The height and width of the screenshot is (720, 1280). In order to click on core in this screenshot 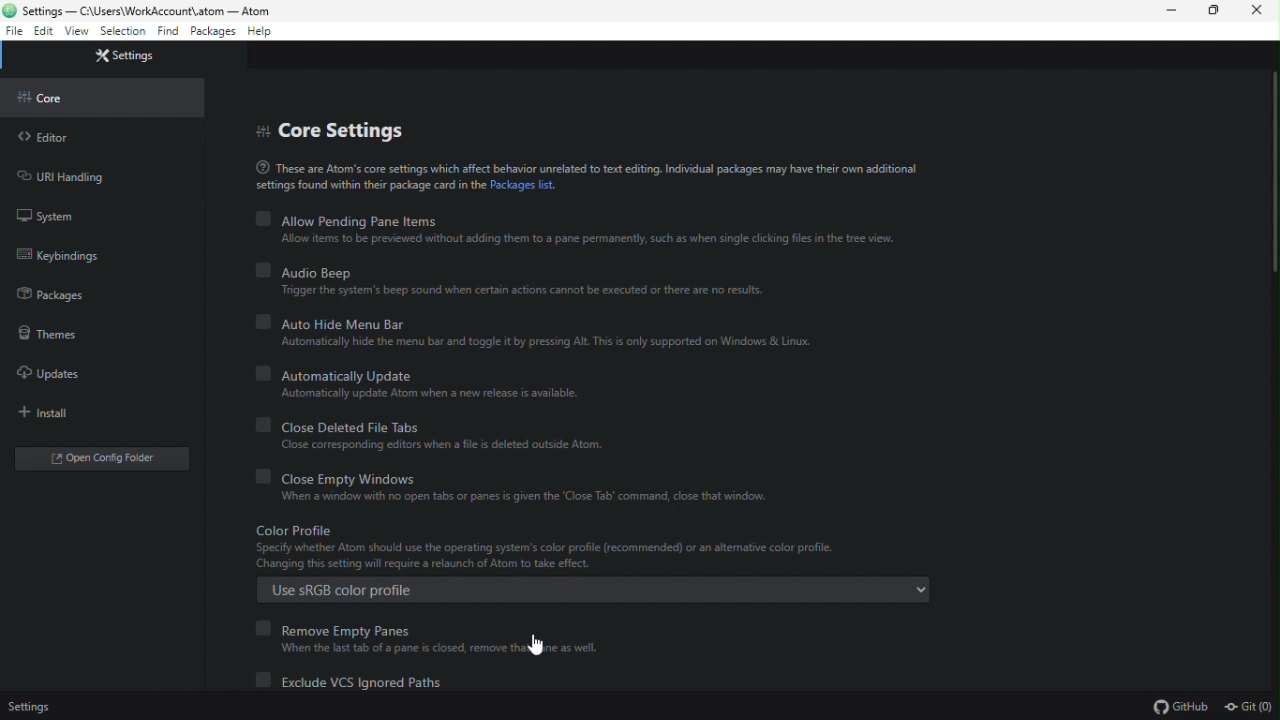, I will do `click(51, 101)`.